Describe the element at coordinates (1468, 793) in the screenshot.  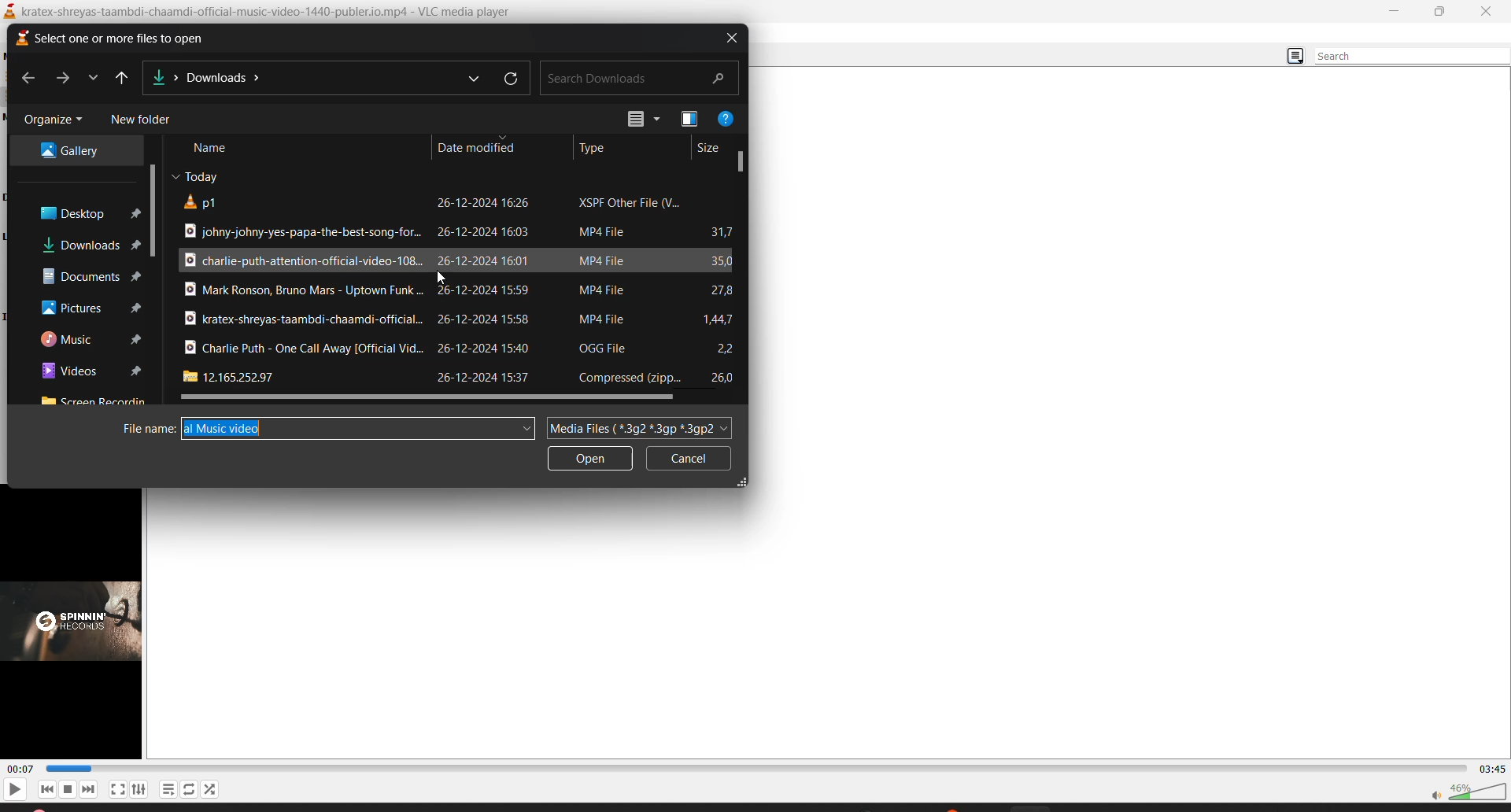
I see `volume` at that location.